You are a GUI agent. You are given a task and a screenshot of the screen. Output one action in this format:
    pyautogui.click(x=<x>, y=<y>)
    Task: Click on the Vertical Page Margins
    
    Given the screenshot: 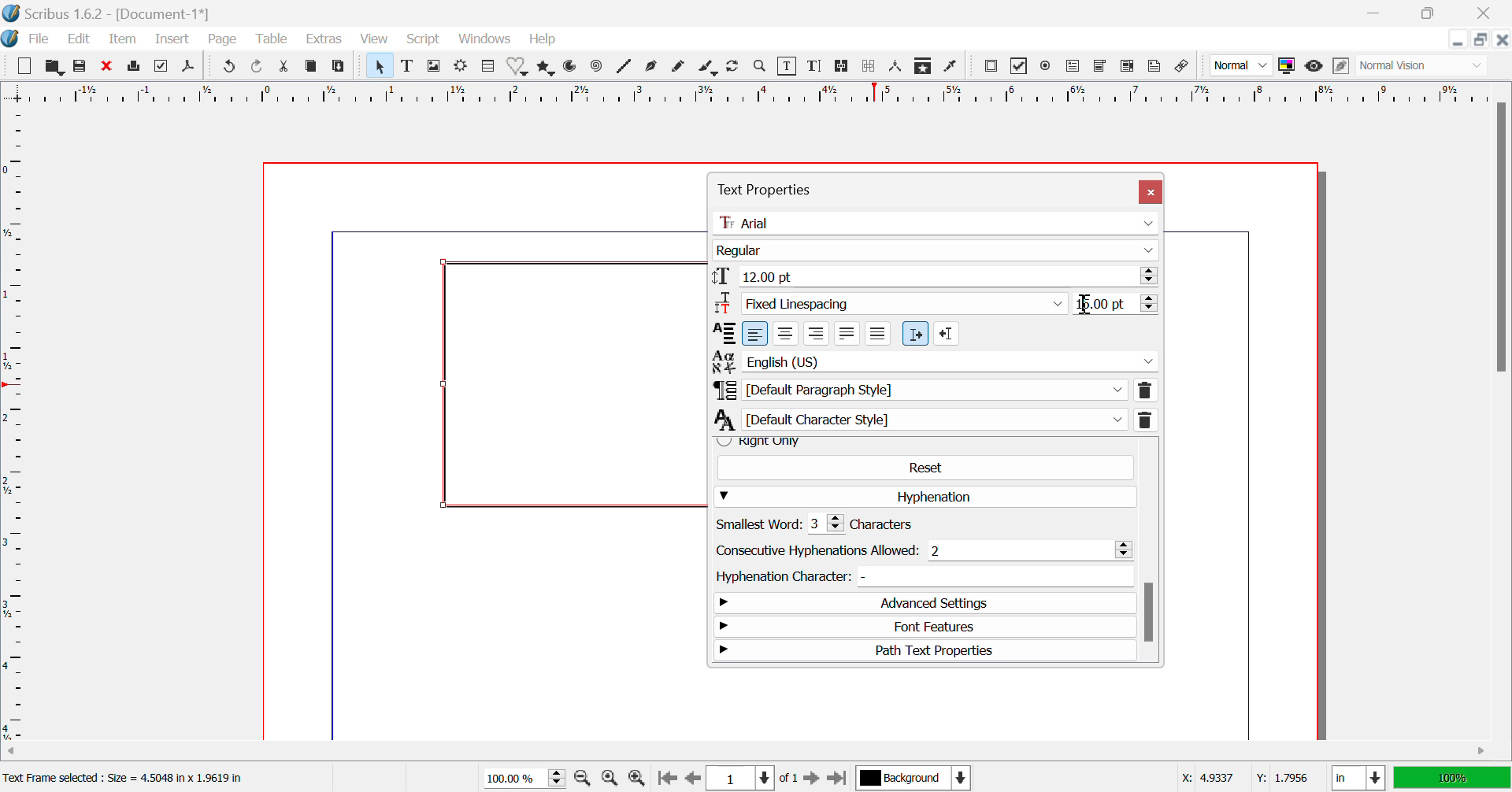 What is the action you would take?
    pyautogui.click(x=752, y=94)
    